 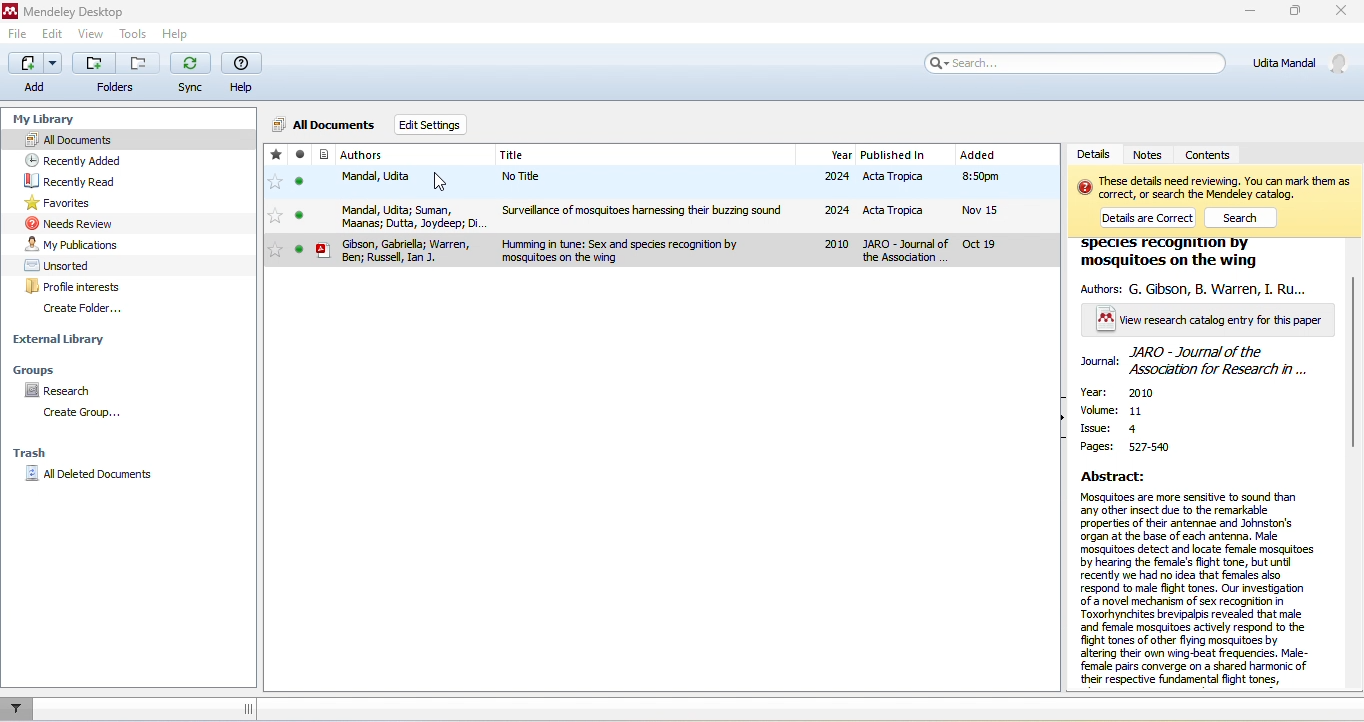 What do you see at coordinates (192, 72) in the screenshot?
I see `sync` at bounding box center [192, 72].